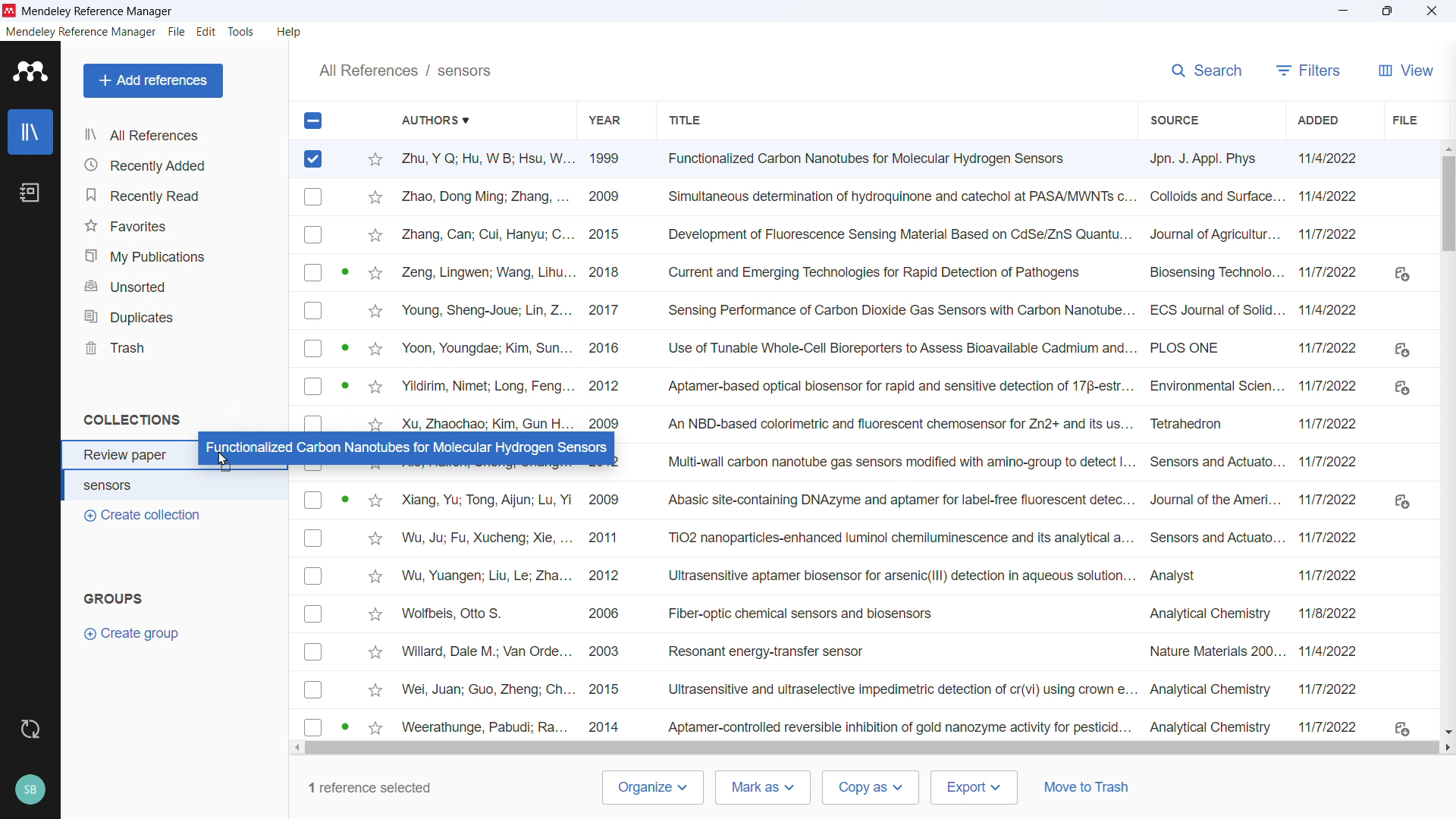 The image size is (1456, 819). Describe the element at coordinates (177, 196) in the screenshot. I see `Recently read ` at that location.